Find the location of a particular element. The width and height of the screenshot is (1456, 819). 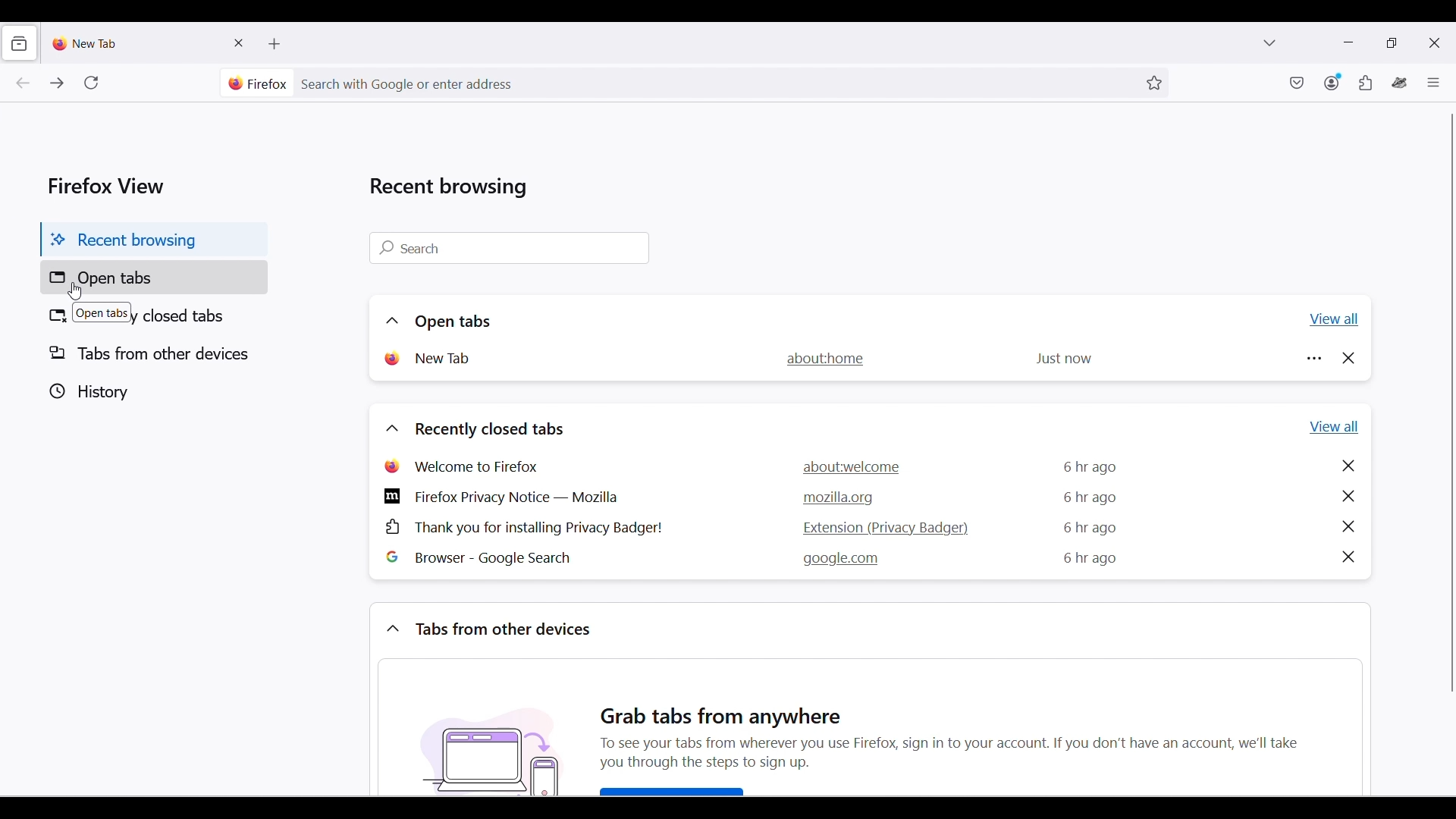

Show browser in a smaller tab is located at coordinates (1392, 42).